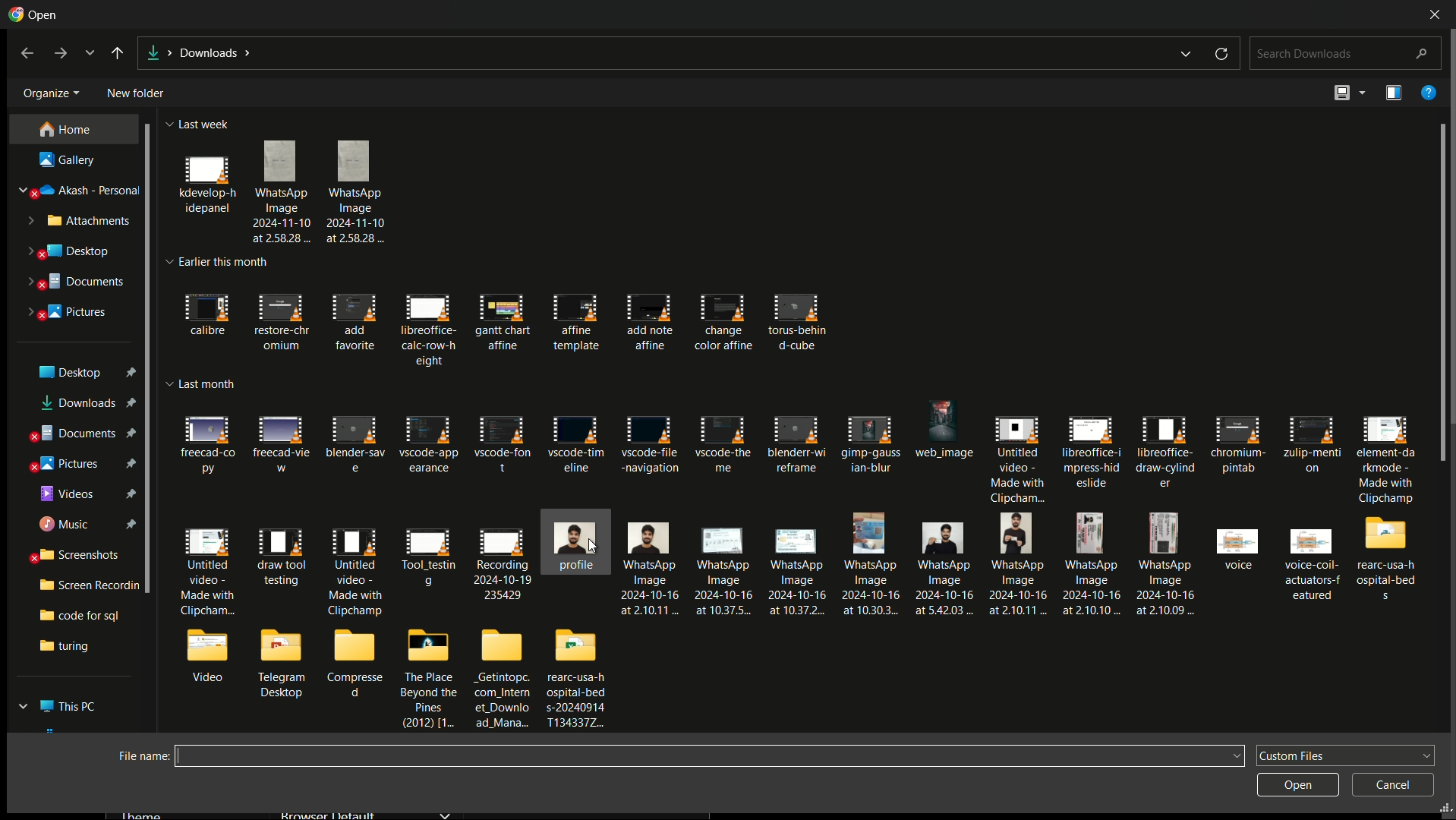 The height and width of the screenshot is (820, 1456). I want to click on screen recording, so click(87, 585).